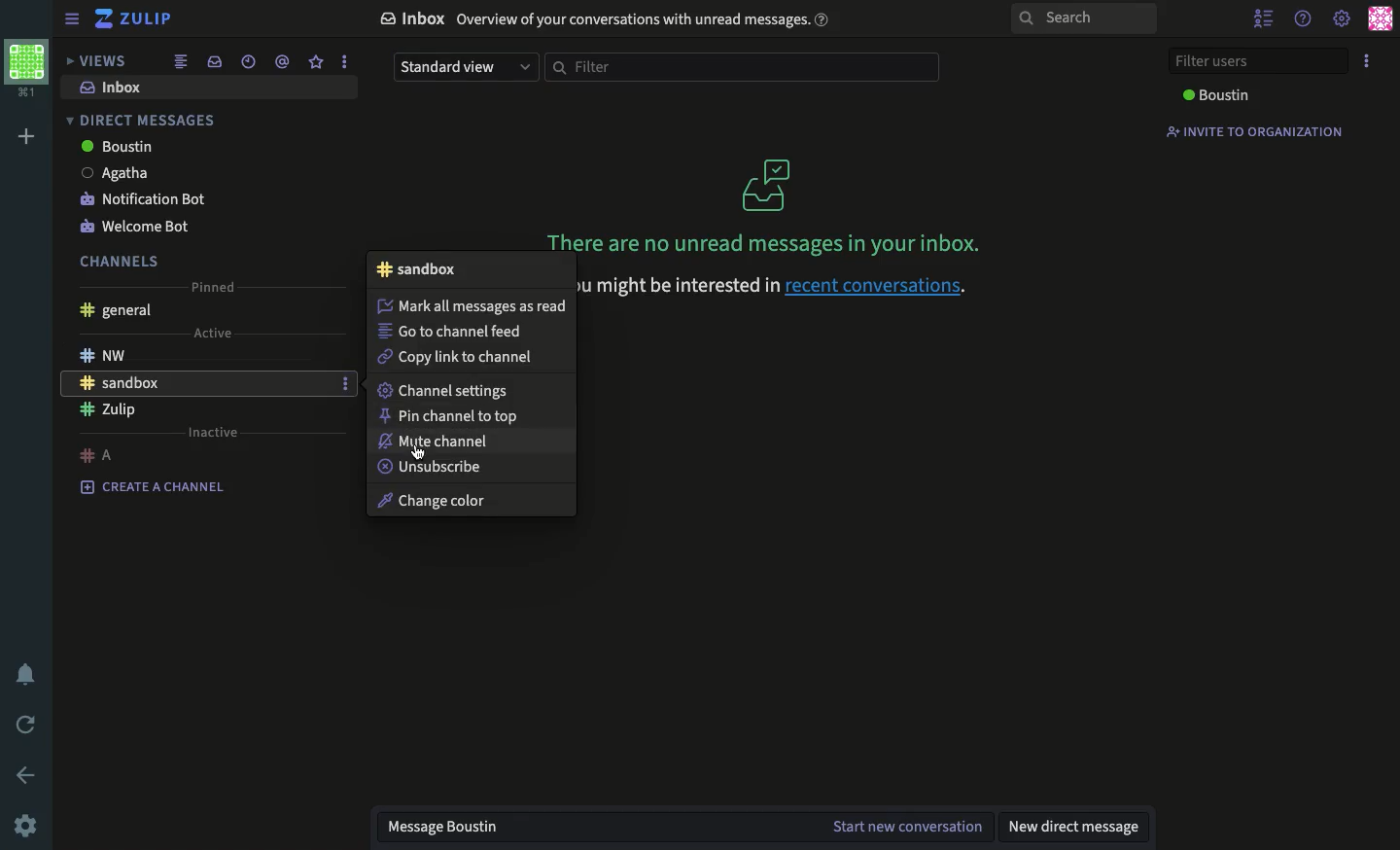 The height and width of the screenshot is (850, 1400). I want to click on notification bot, so click(144, 201).